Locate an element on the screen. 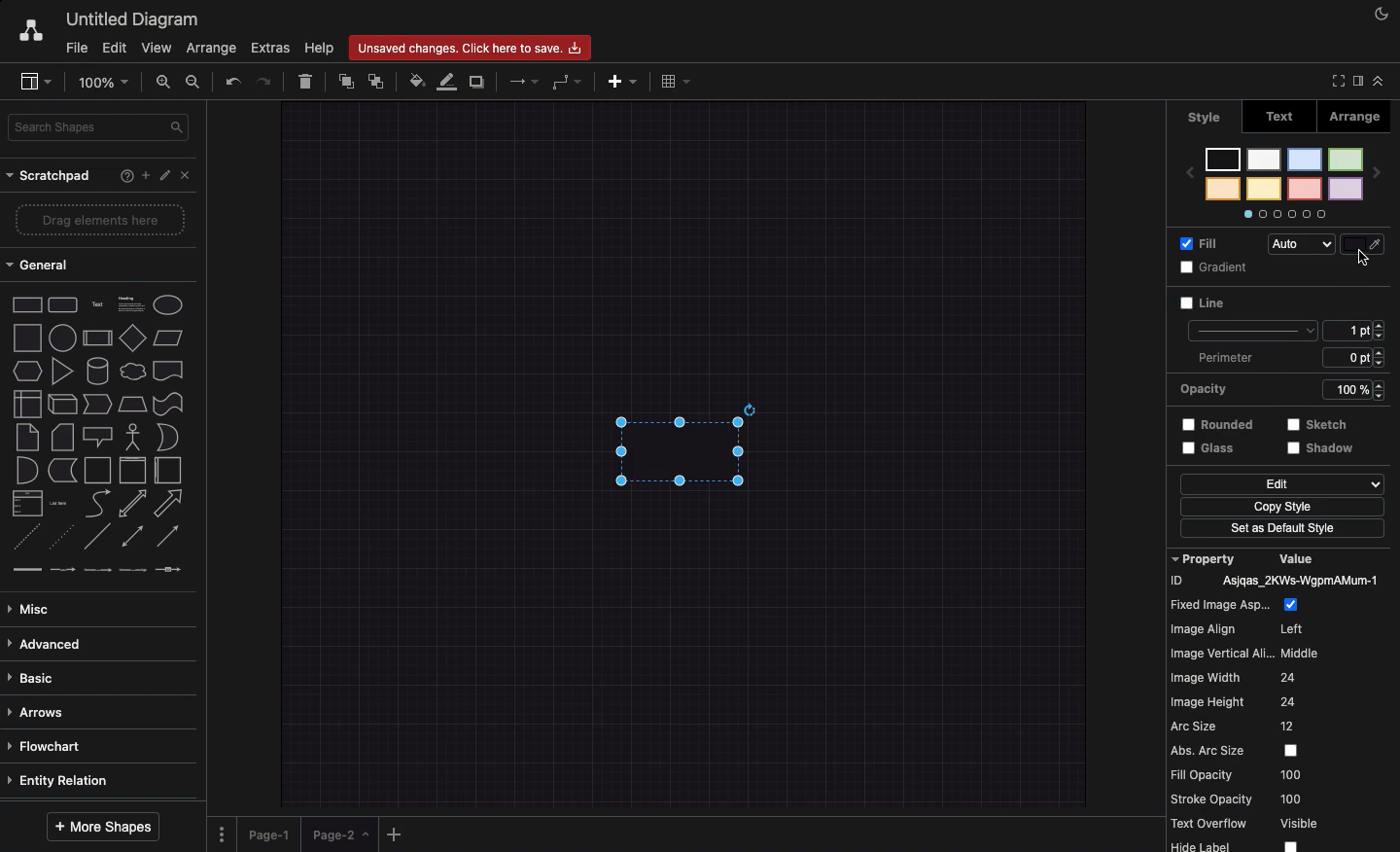  heading is located at coordinates (130, 302).